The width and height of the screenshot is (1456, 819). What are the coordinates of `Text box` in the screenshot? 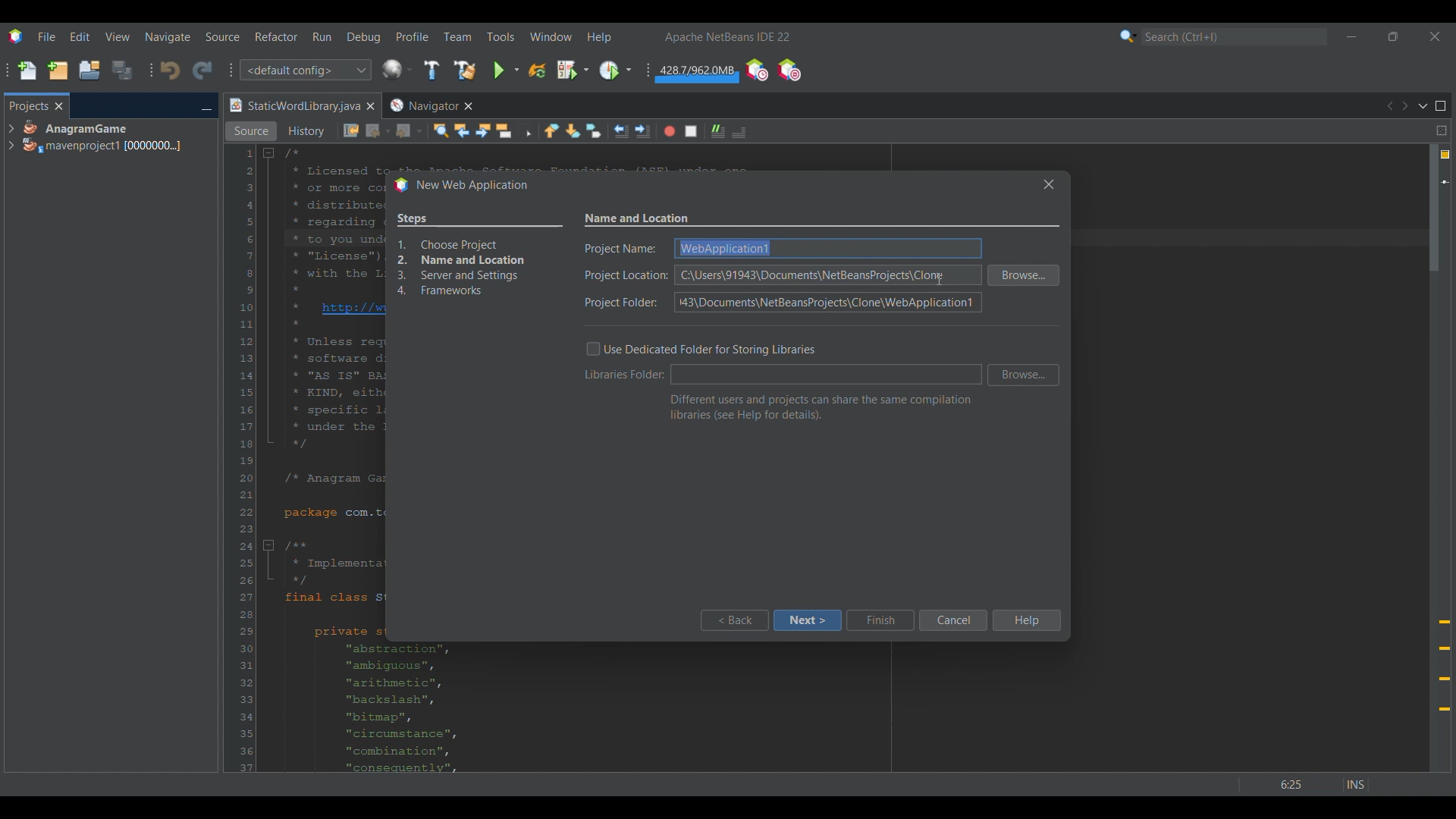 It's located at (827, 375).